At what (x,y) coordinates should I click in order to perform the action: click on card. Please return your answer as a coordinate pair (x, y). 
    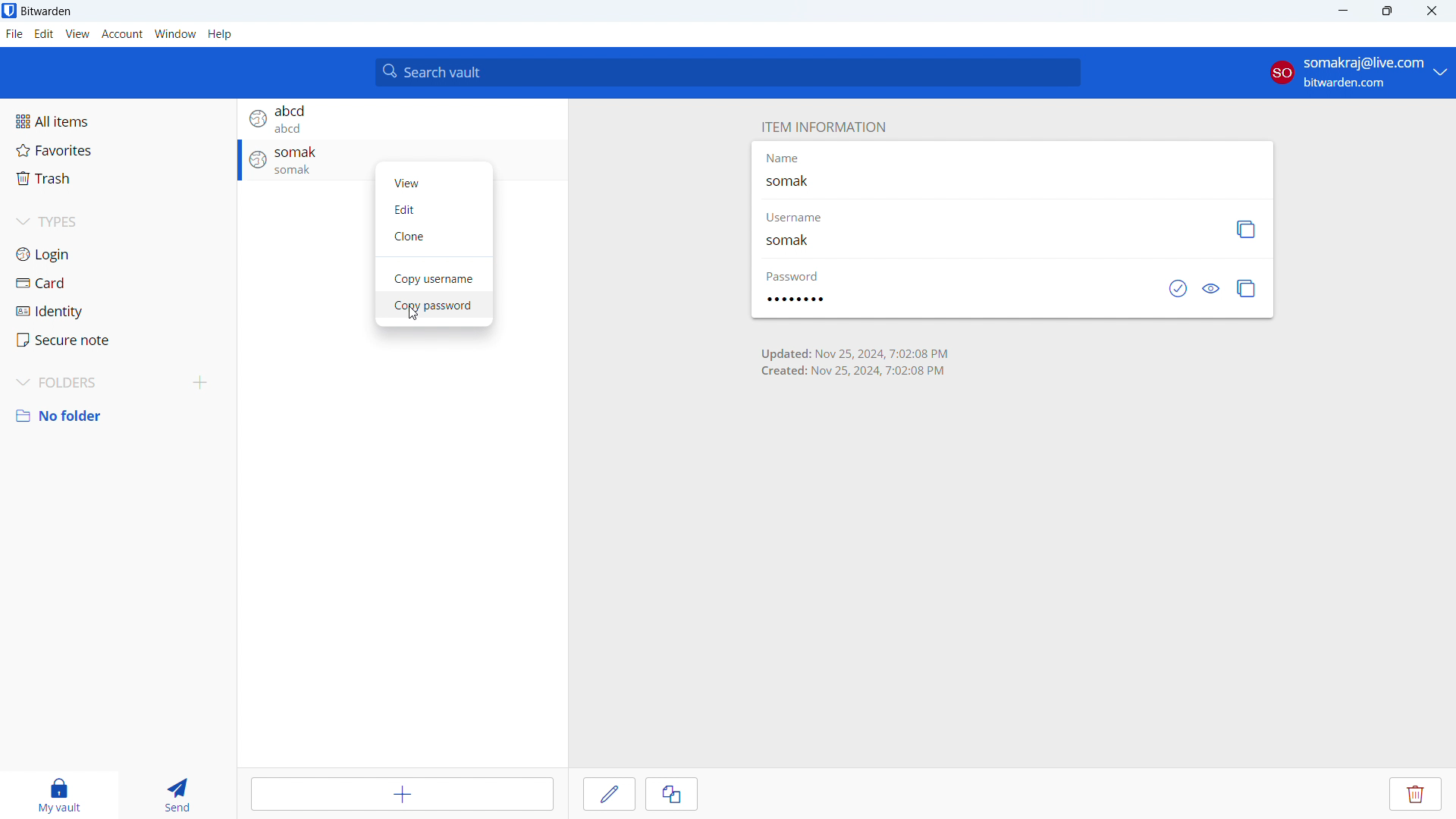
    Looking at the image, I should click on (117, 283).